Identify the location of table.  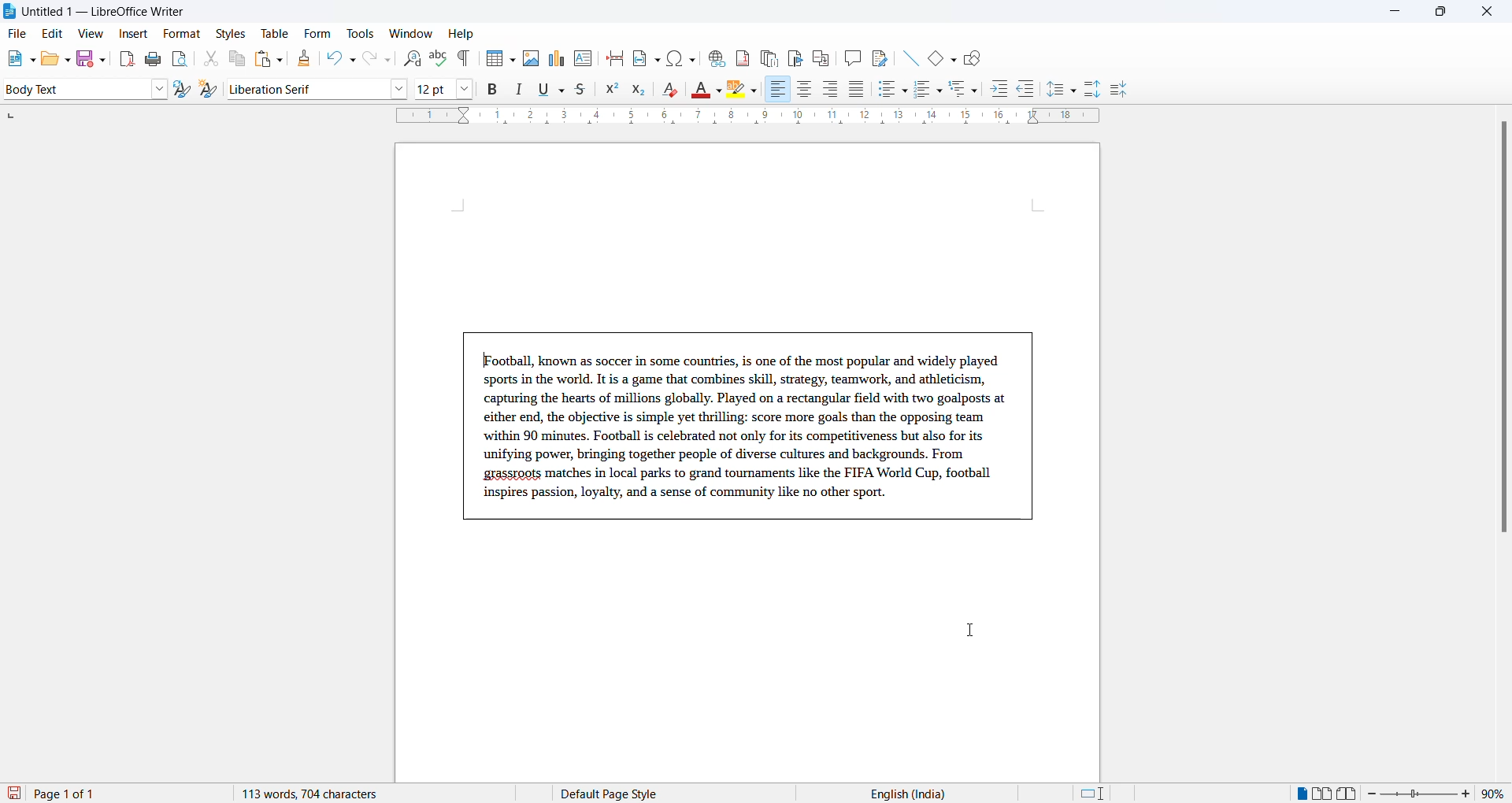
(275, 33).